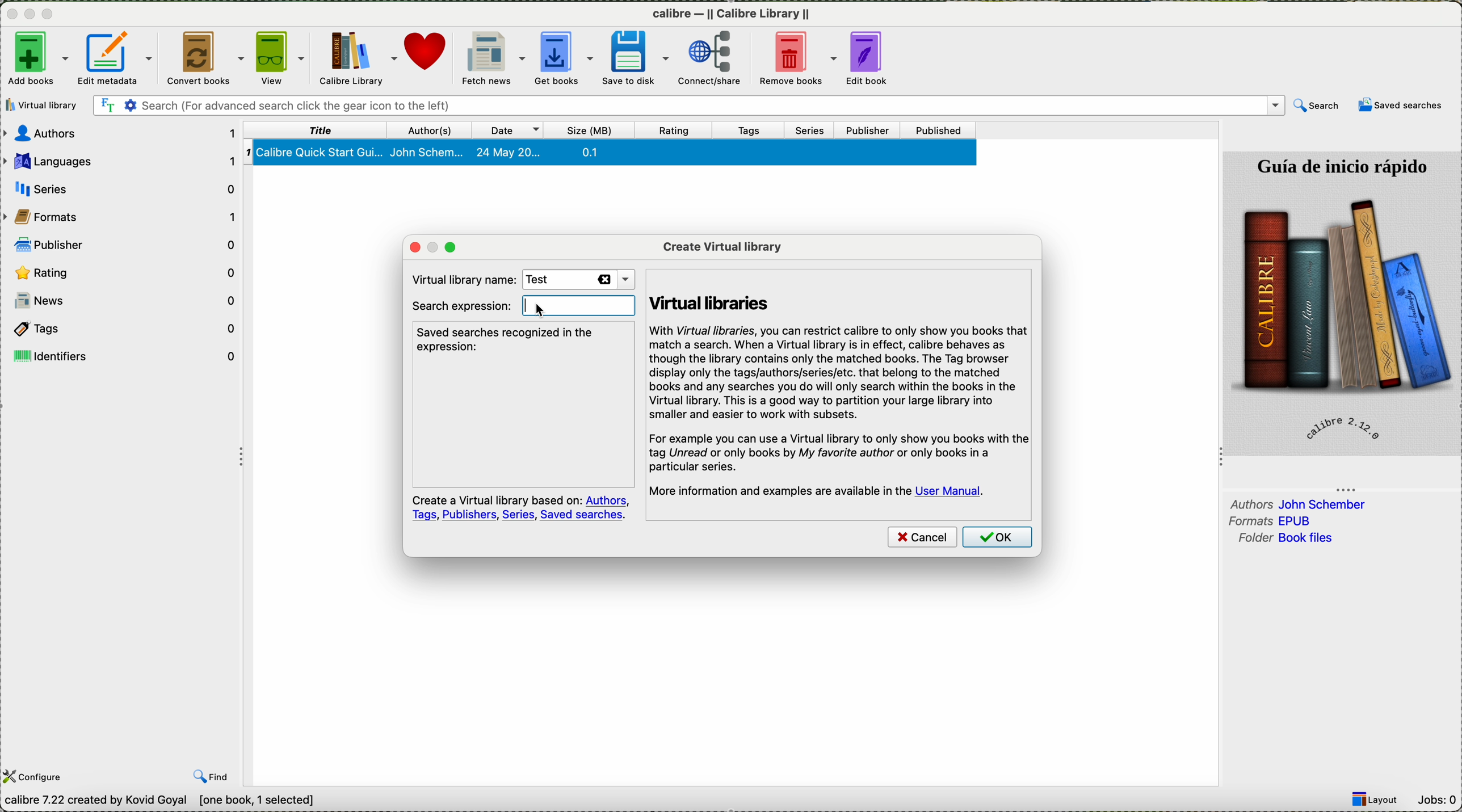  What do you see at coordinates (428, 58) in the screenshot?
I see `donate` at bounding box center [428, 58].